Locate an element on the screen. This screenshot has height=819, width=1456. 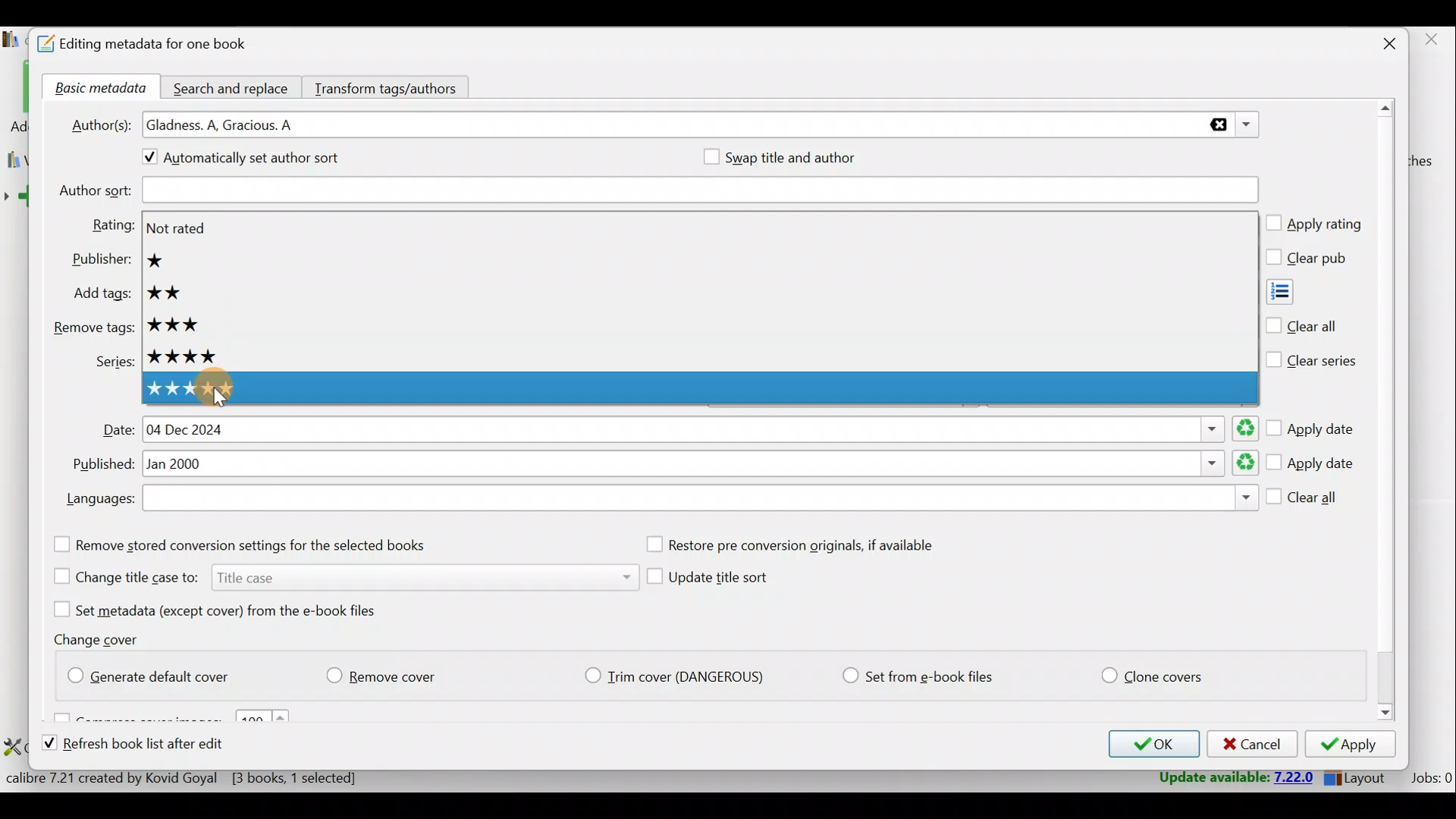
OK is located at coordinates (1150, 744).